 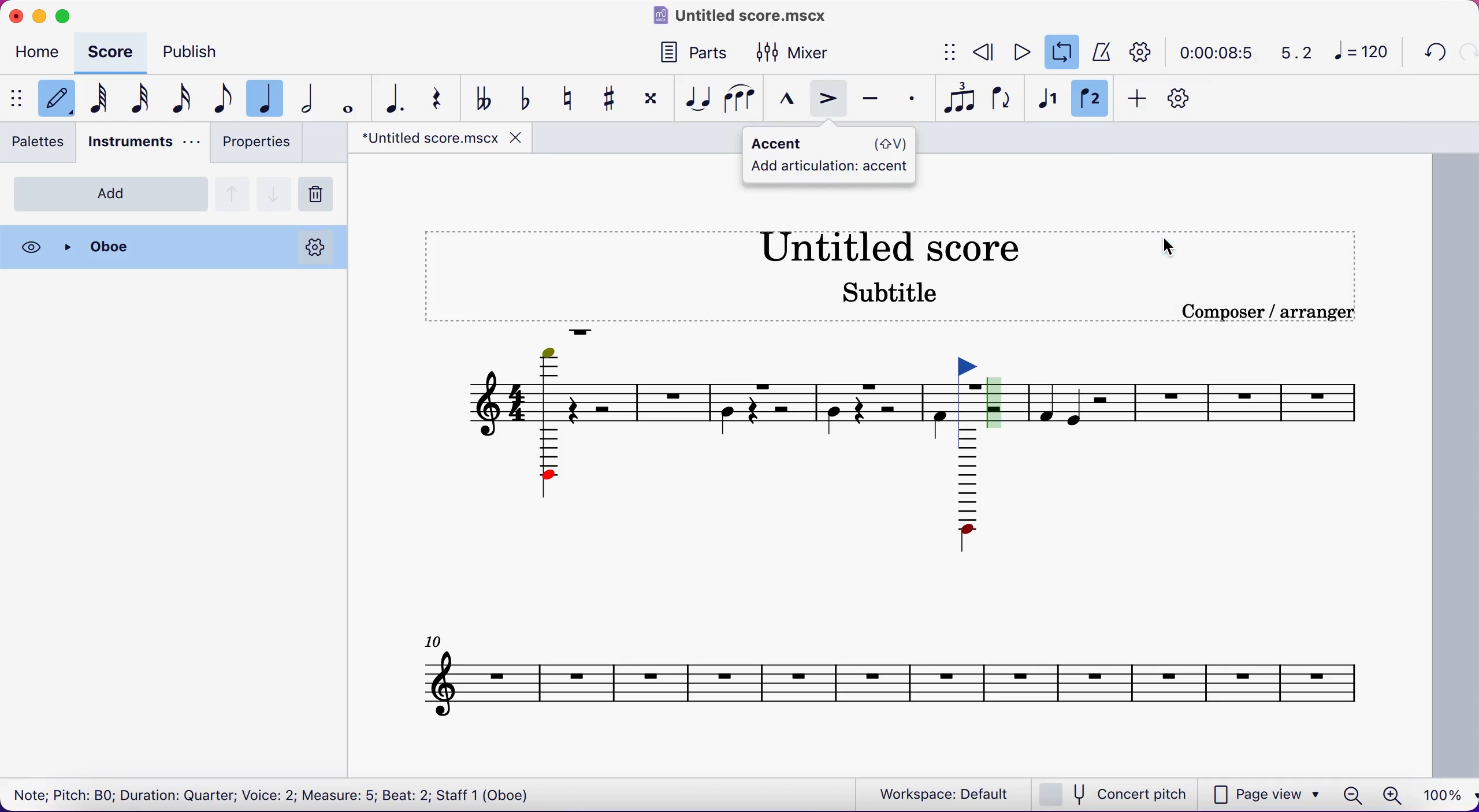 What do you see at coordinates (233, 192) in the screenshot?
I see `go up` at bounding box center [233, 192].